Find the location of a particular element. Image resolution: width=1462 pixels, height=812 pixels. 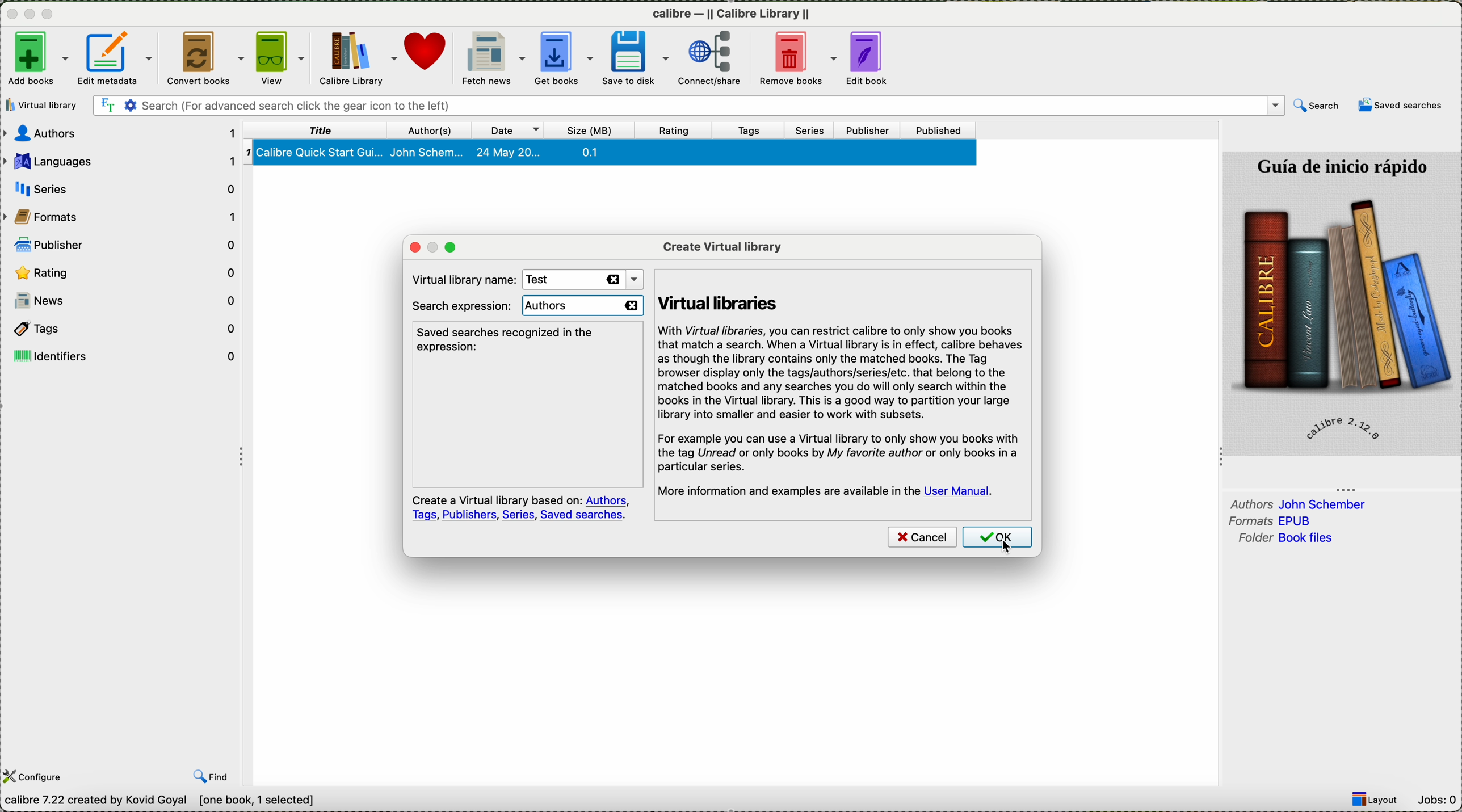

search is located at coordinates (1316, 106).